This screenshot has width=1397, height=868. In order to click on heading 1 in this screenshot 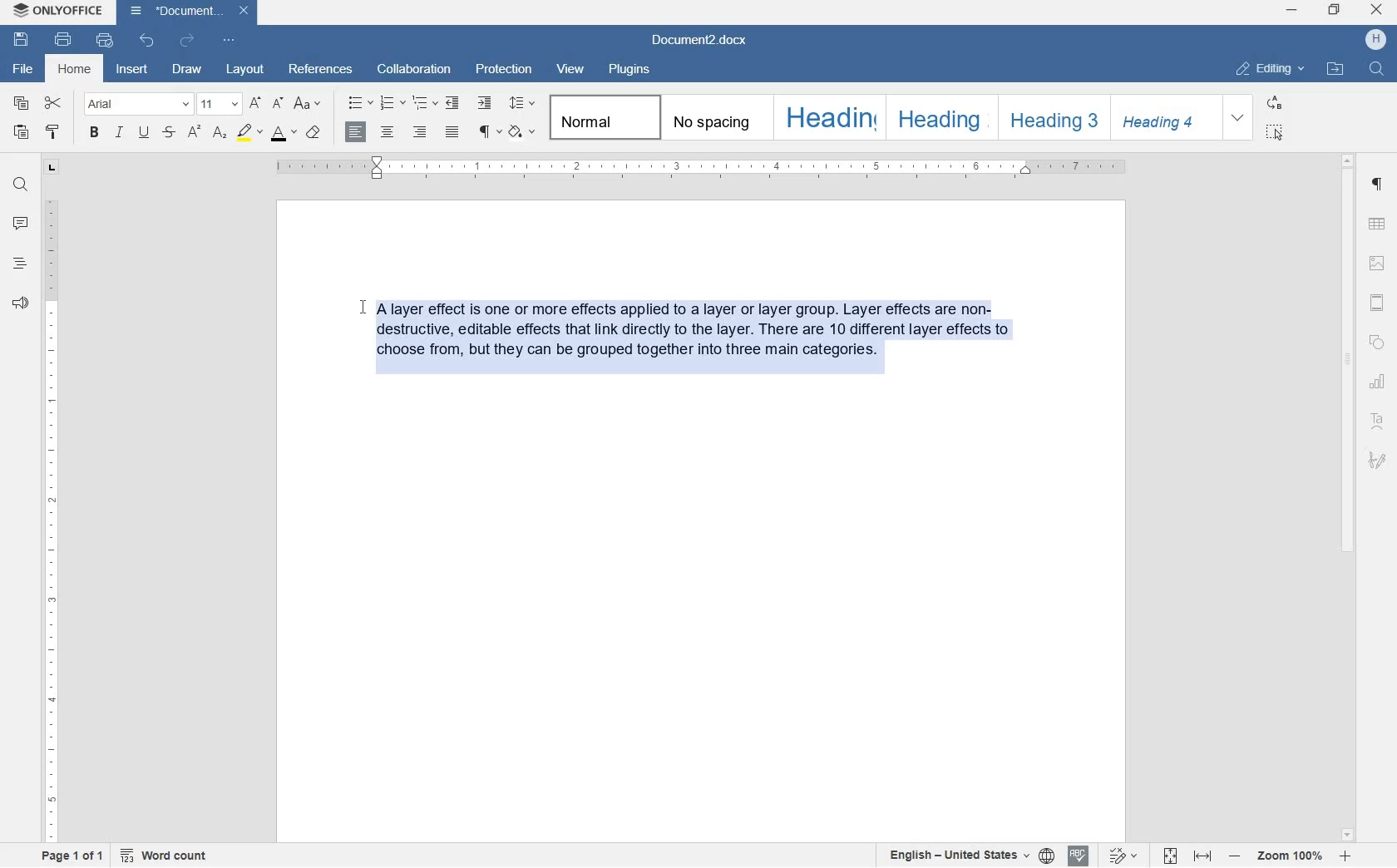, I will do `click(827, 116)`.